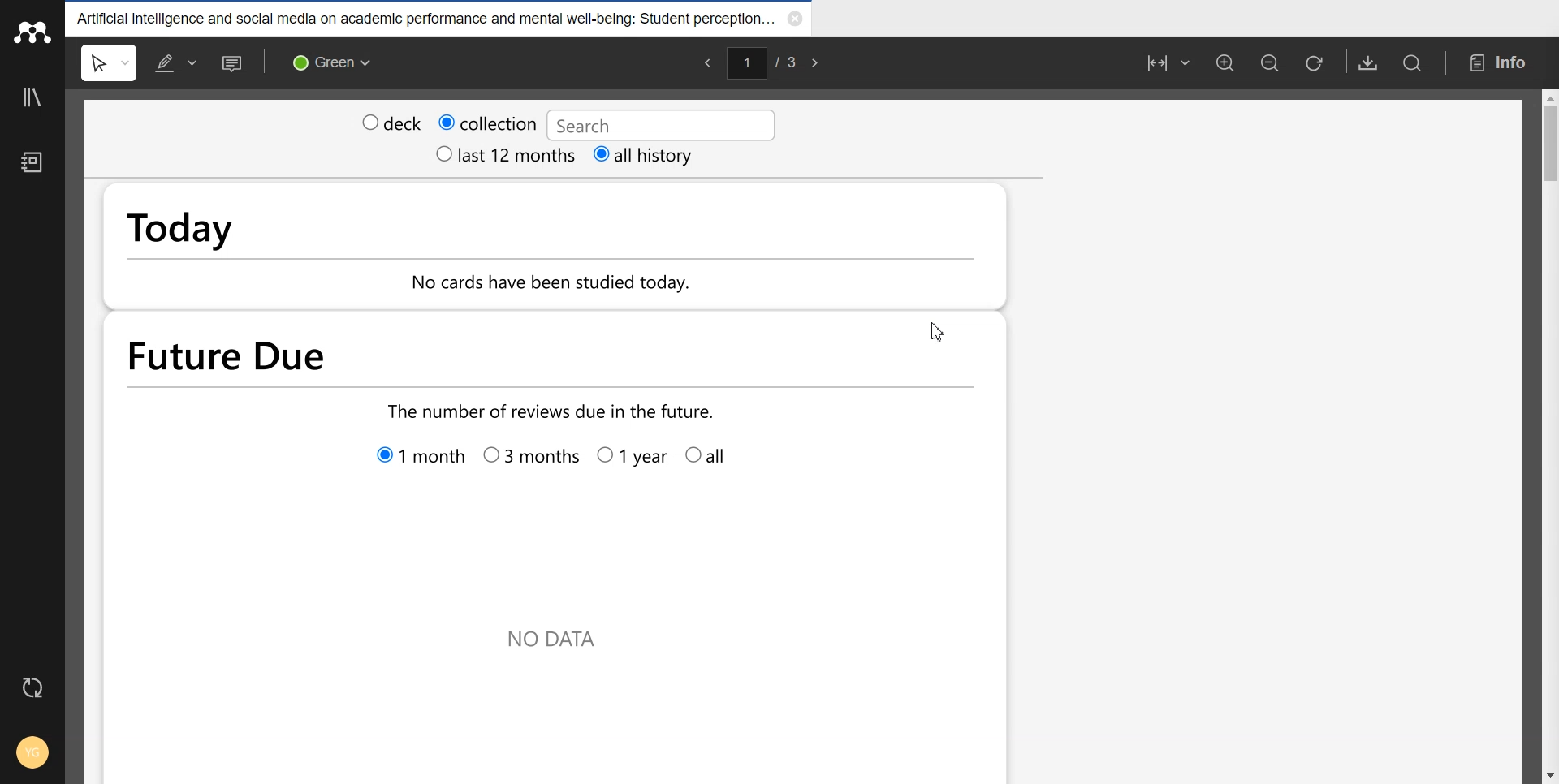 The width and height of the screenshot is (1559, 784). Describe the element at coordinates (443, 355) in the screenshot. I see `Future due` at that location.